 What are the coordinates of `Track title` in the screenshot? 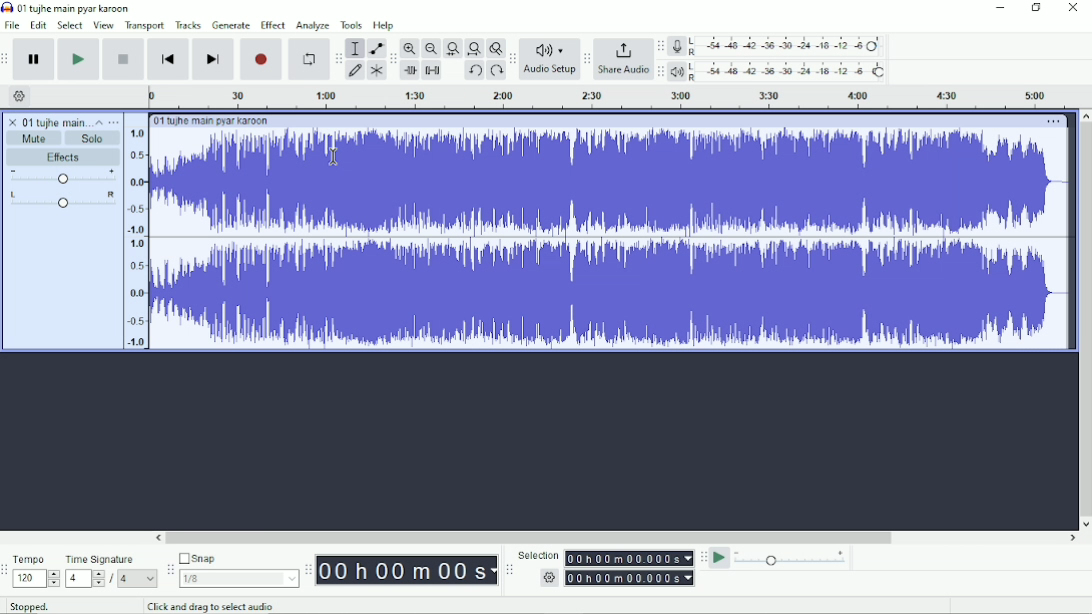 It's located at (209, 120).